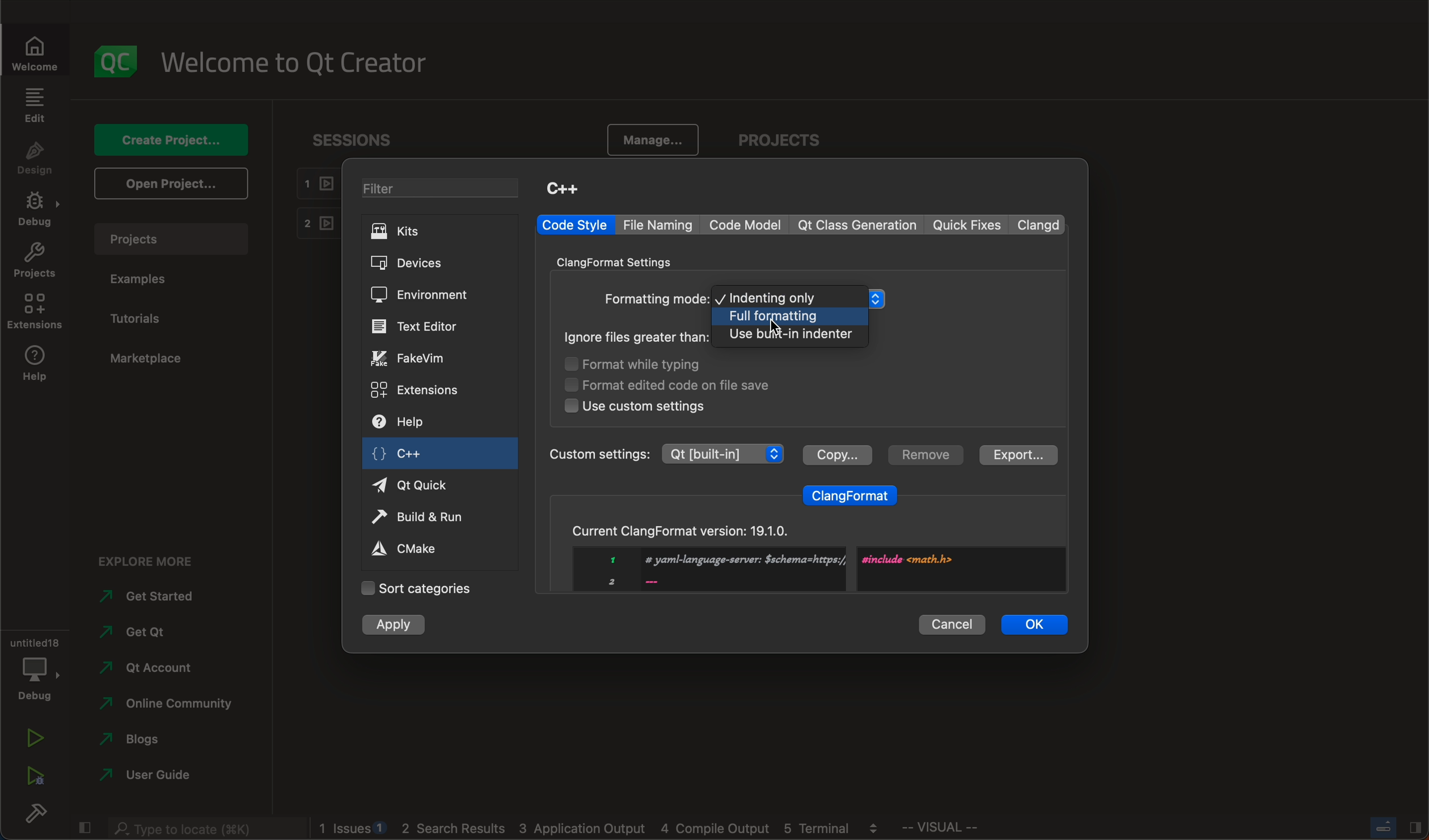  I want to click on Formatting mode, so click(656, 300).